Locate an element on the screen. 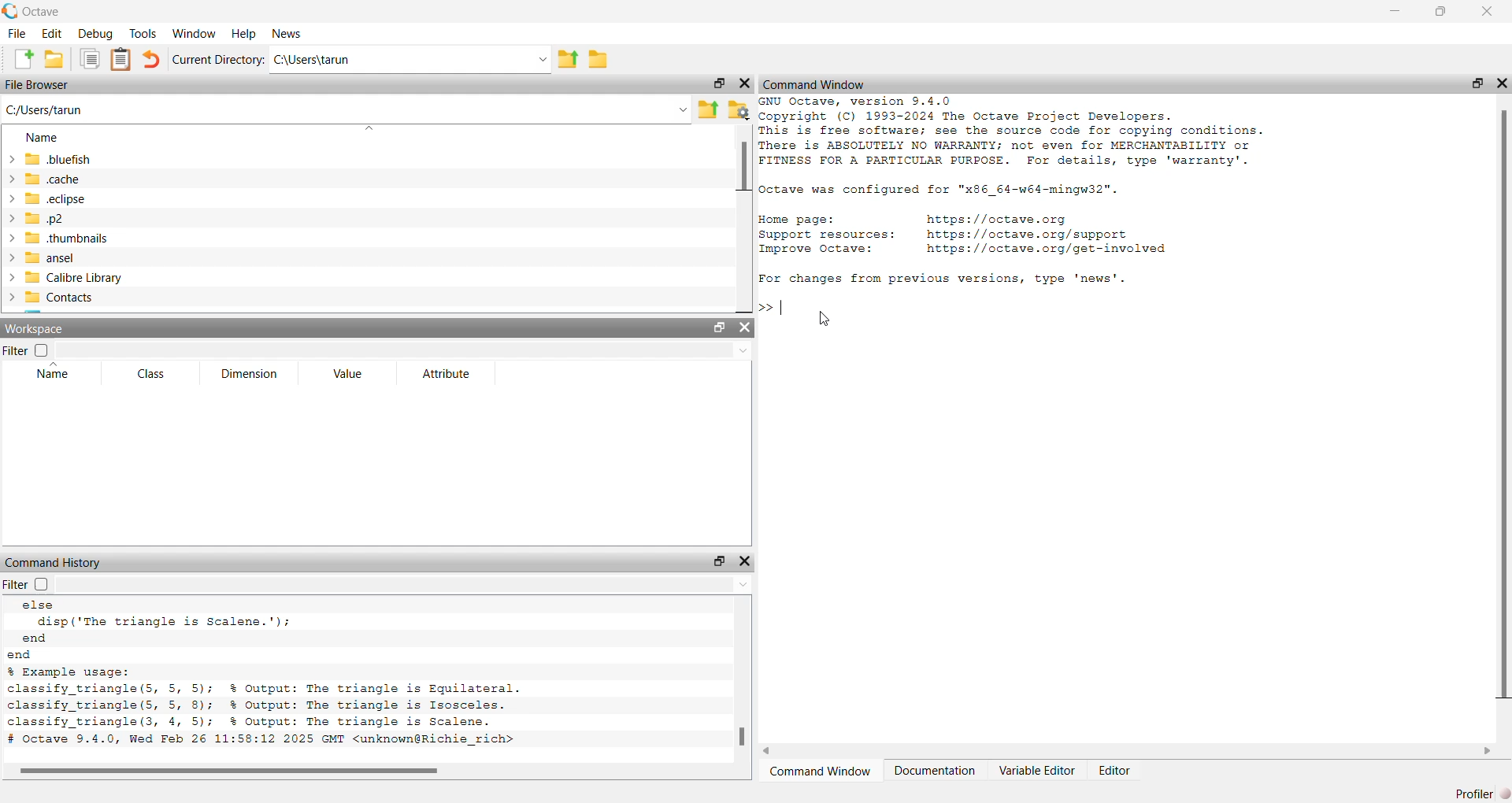 This screenshot has height=803, width=1512. details of version and copyright of octave is located at coordinates (1057, 134).